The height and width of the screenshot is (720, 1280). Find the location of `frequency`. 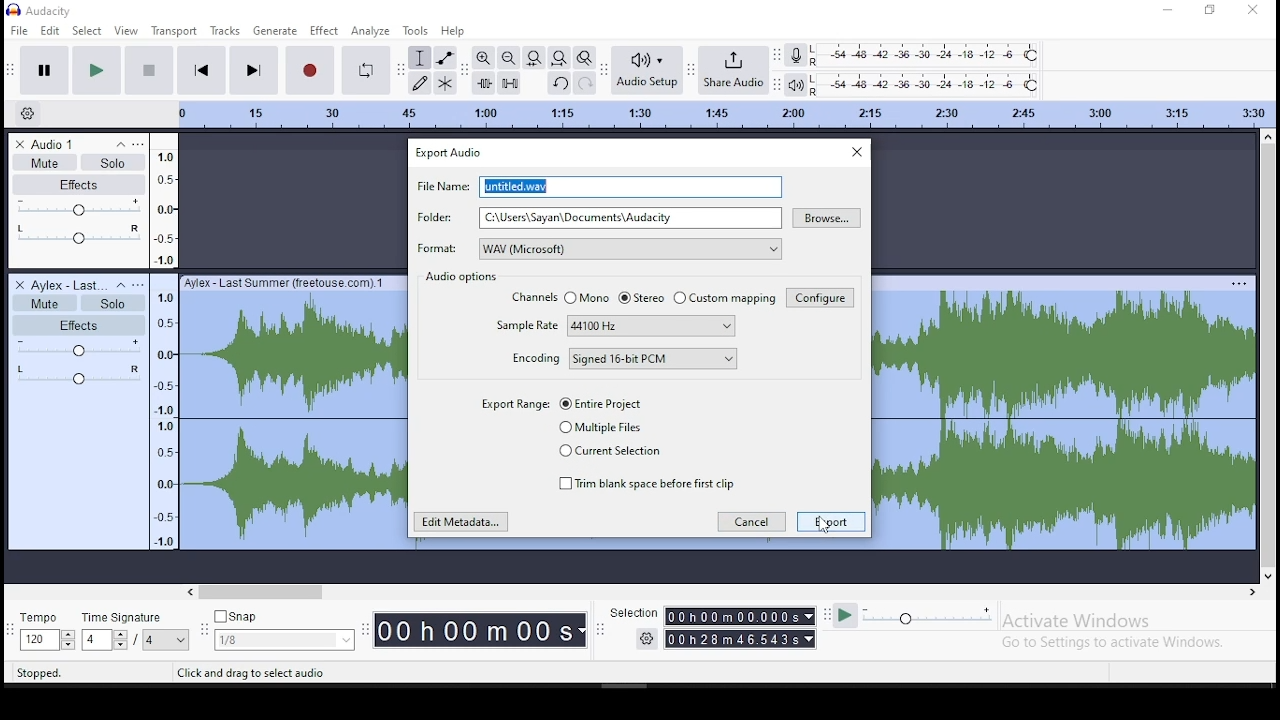

frequency is located at coordinates (164, 411).